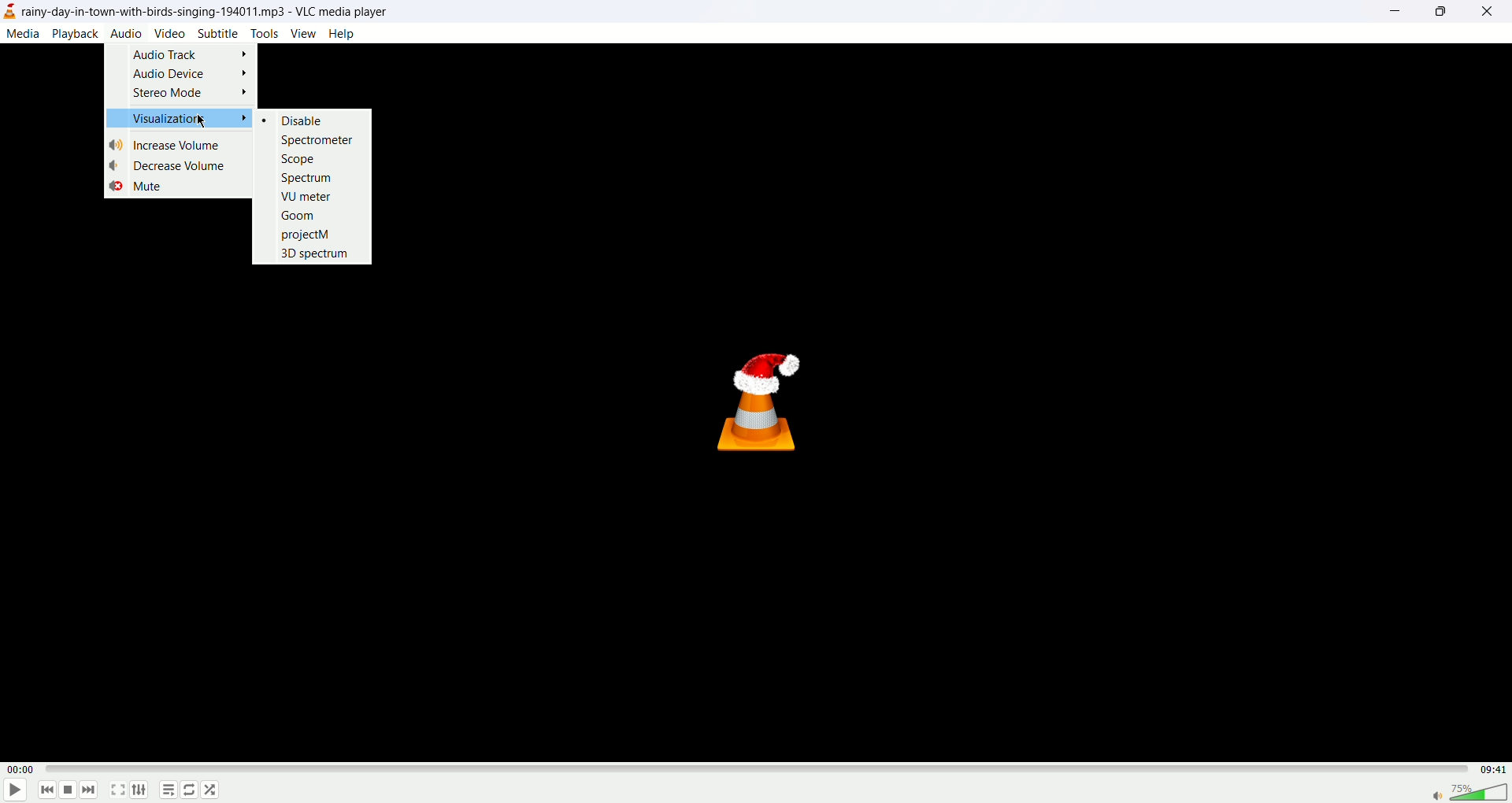 The image size is (1512, 803). Describe the element at coordinates (764, 401) in the screenshot. I see `VLC Icon` at that location.